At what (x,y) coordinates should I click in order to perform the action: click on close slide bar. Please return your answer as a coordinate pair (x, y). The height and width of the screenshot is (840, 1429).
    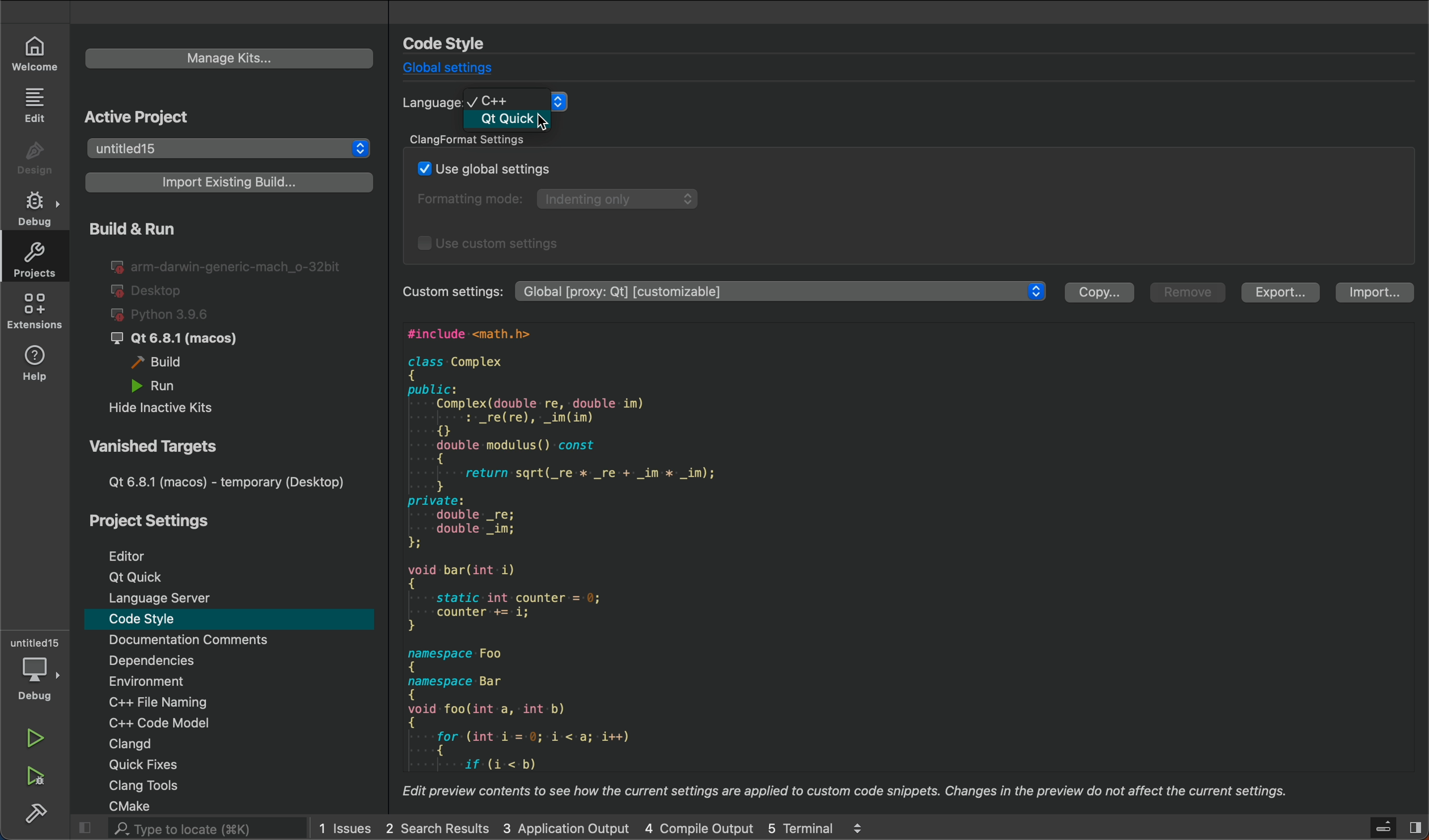
    Looking at the image, I should click on (1379, 827).